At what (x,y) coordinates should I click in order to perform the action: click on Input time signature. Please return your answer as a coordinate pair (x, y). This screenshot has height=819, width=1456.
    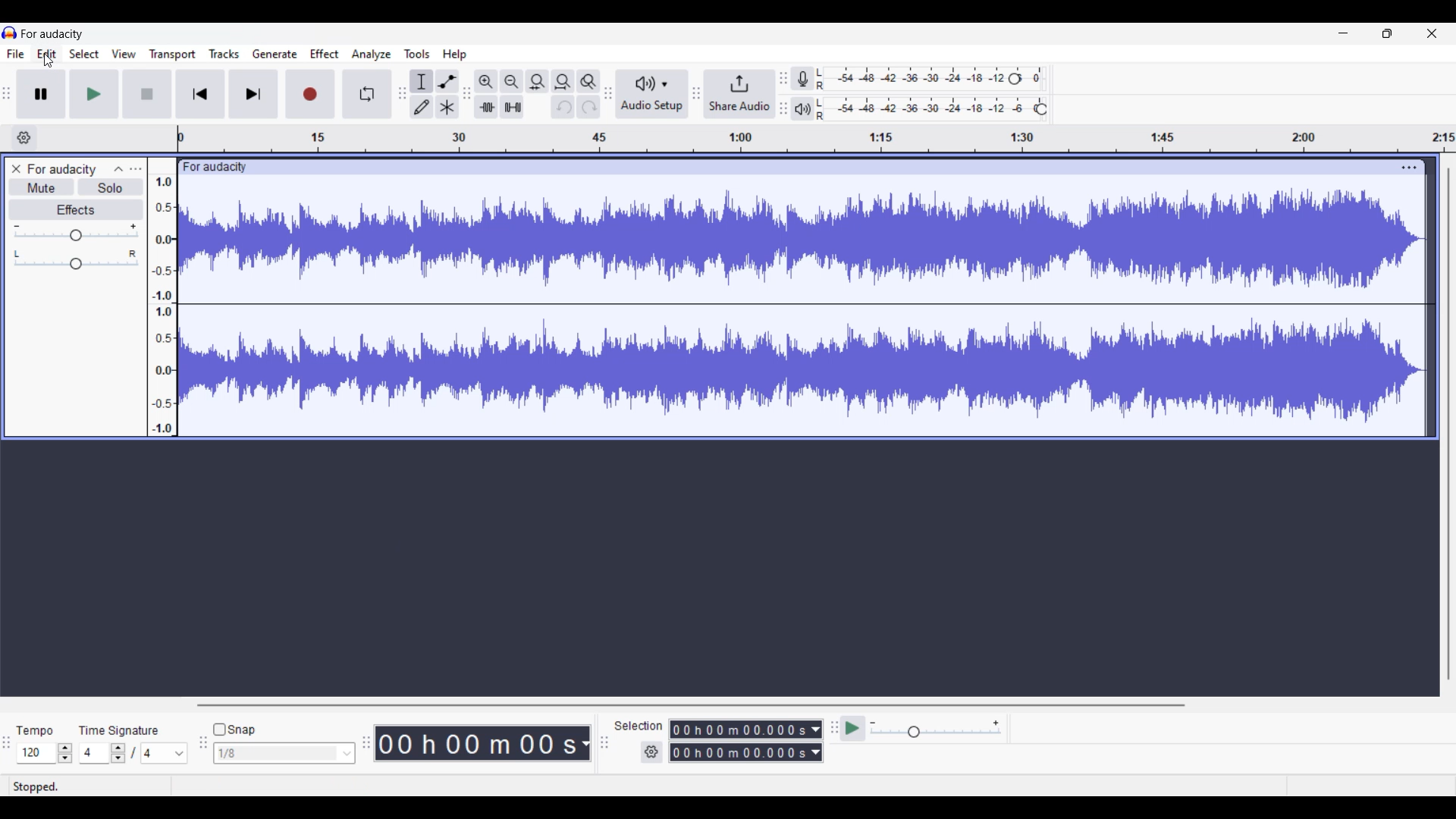
    Looking at the image, I should click on (94, 753).